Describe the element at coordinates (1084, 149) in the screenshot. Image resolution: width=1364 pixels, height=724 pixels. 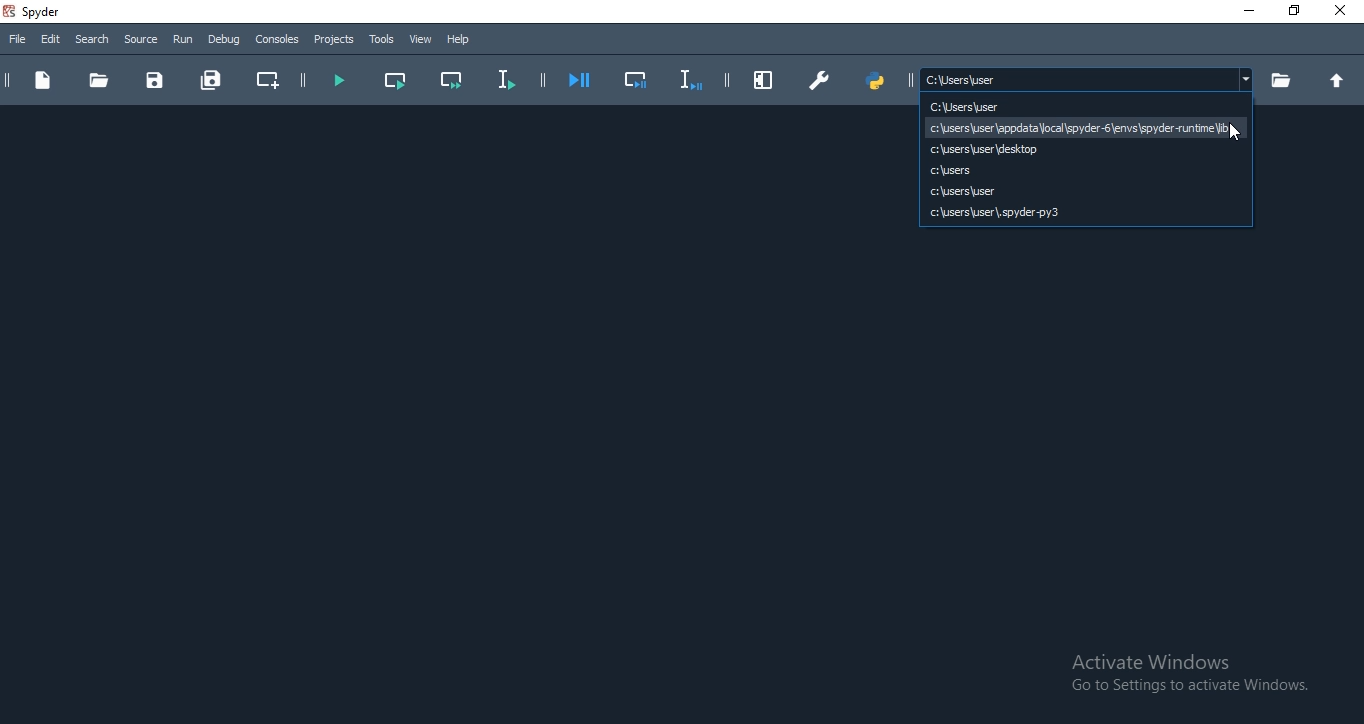
I see `C:\Users\user\desktop` at that location.